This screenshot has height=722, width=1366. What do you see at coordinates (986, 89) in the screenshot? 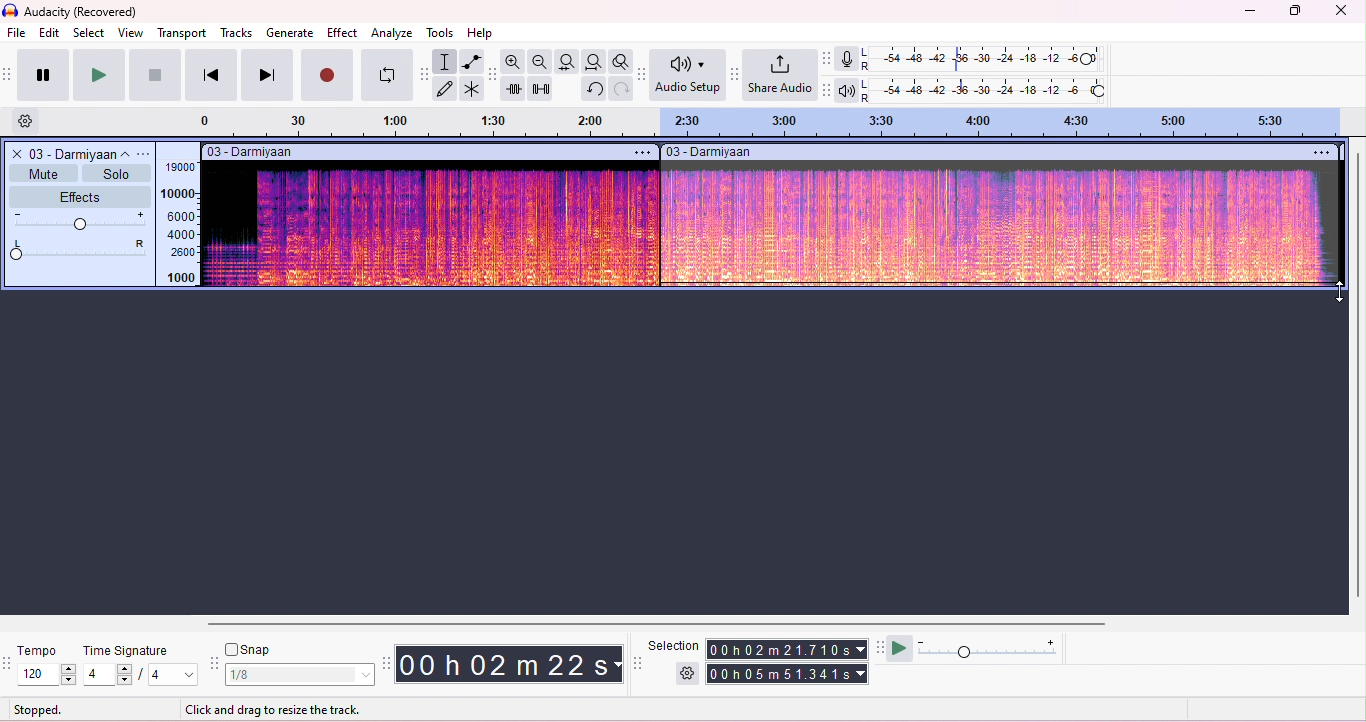
I see `playback level` at bounding box center [986, 89].